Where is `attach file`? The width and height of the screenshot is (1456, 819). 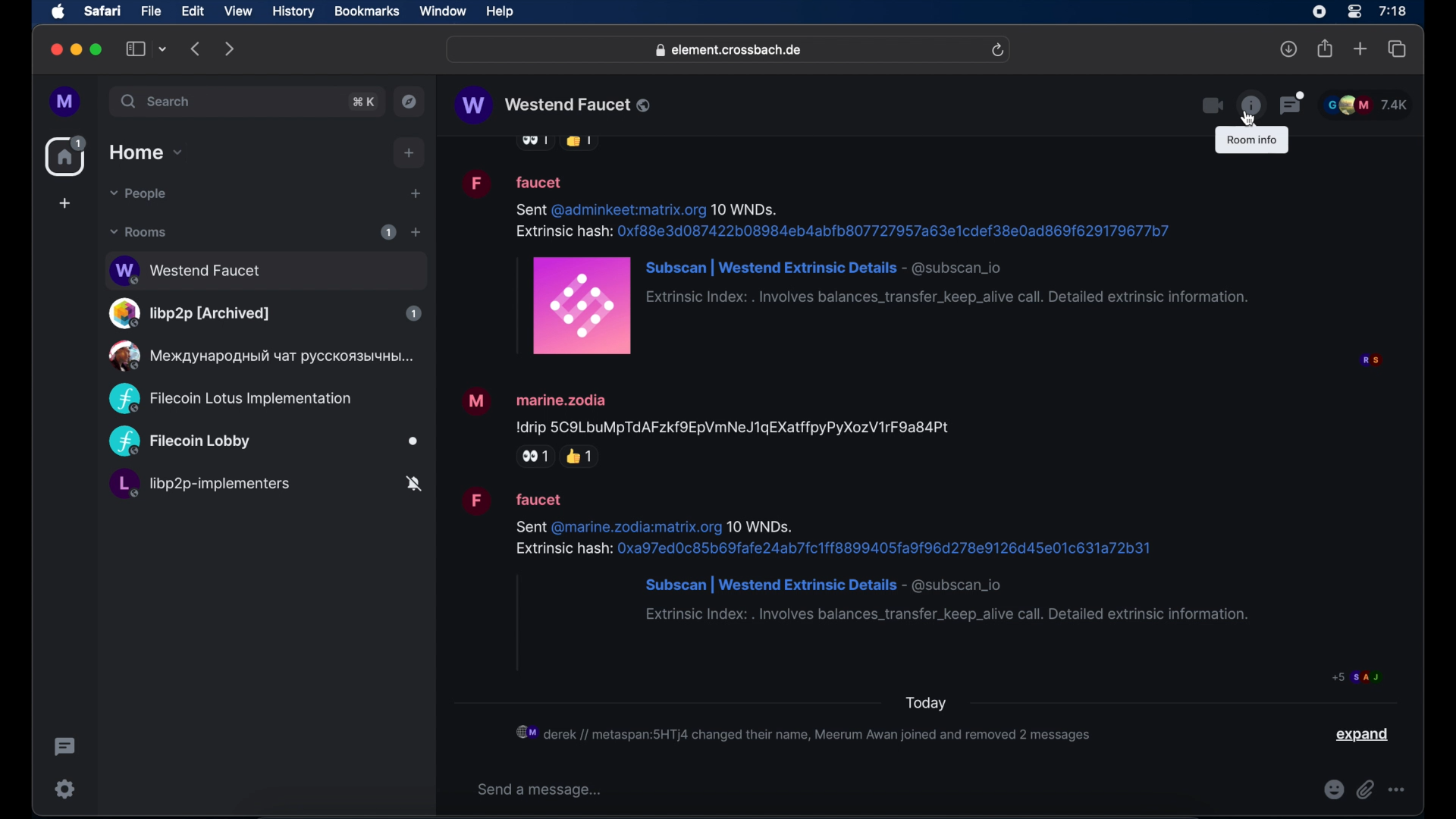 attach file is located at coordinates (1366, 789).